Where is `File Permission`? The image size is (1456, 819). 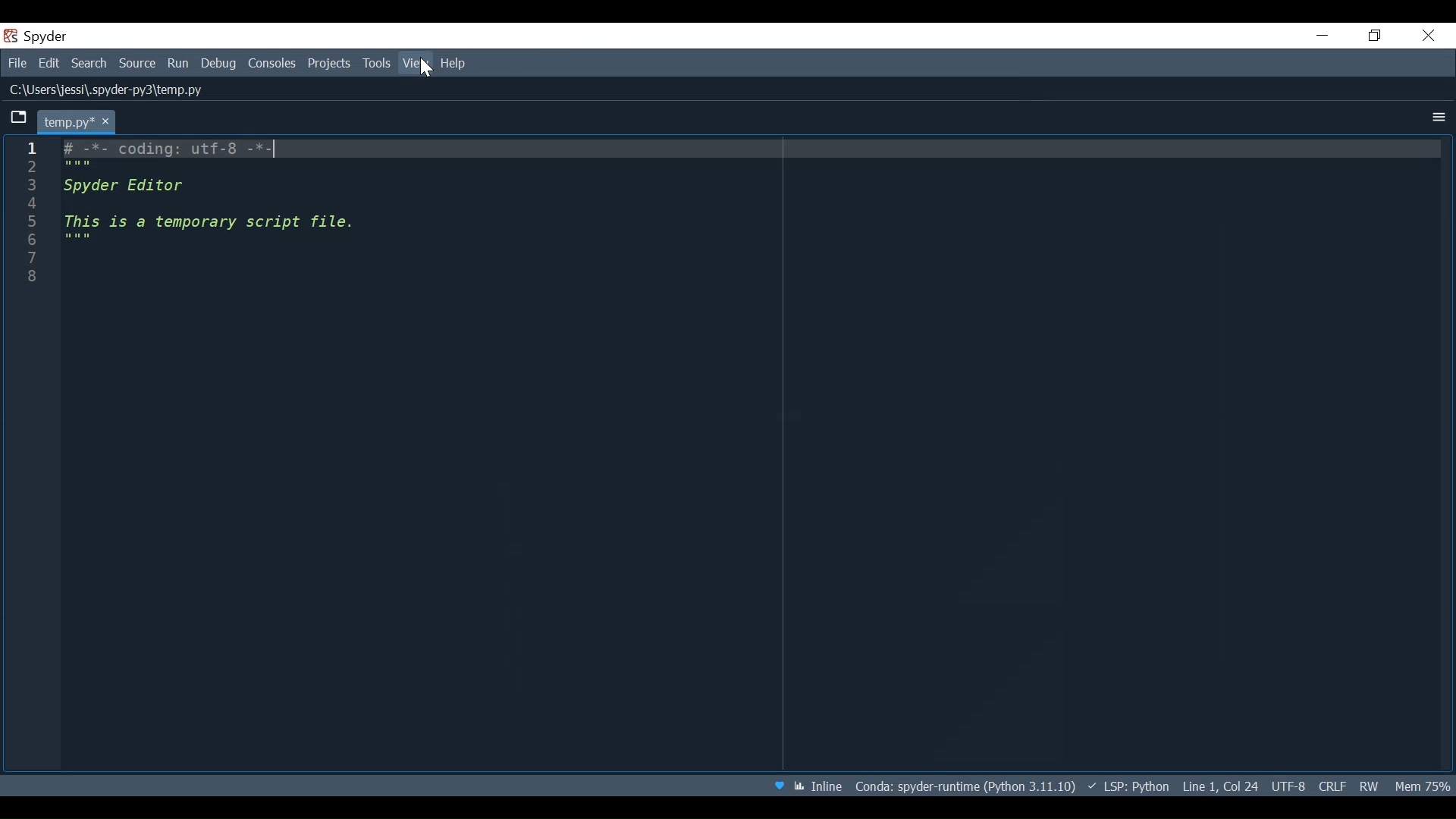
File Permission is located at coordinates (1367, 786).